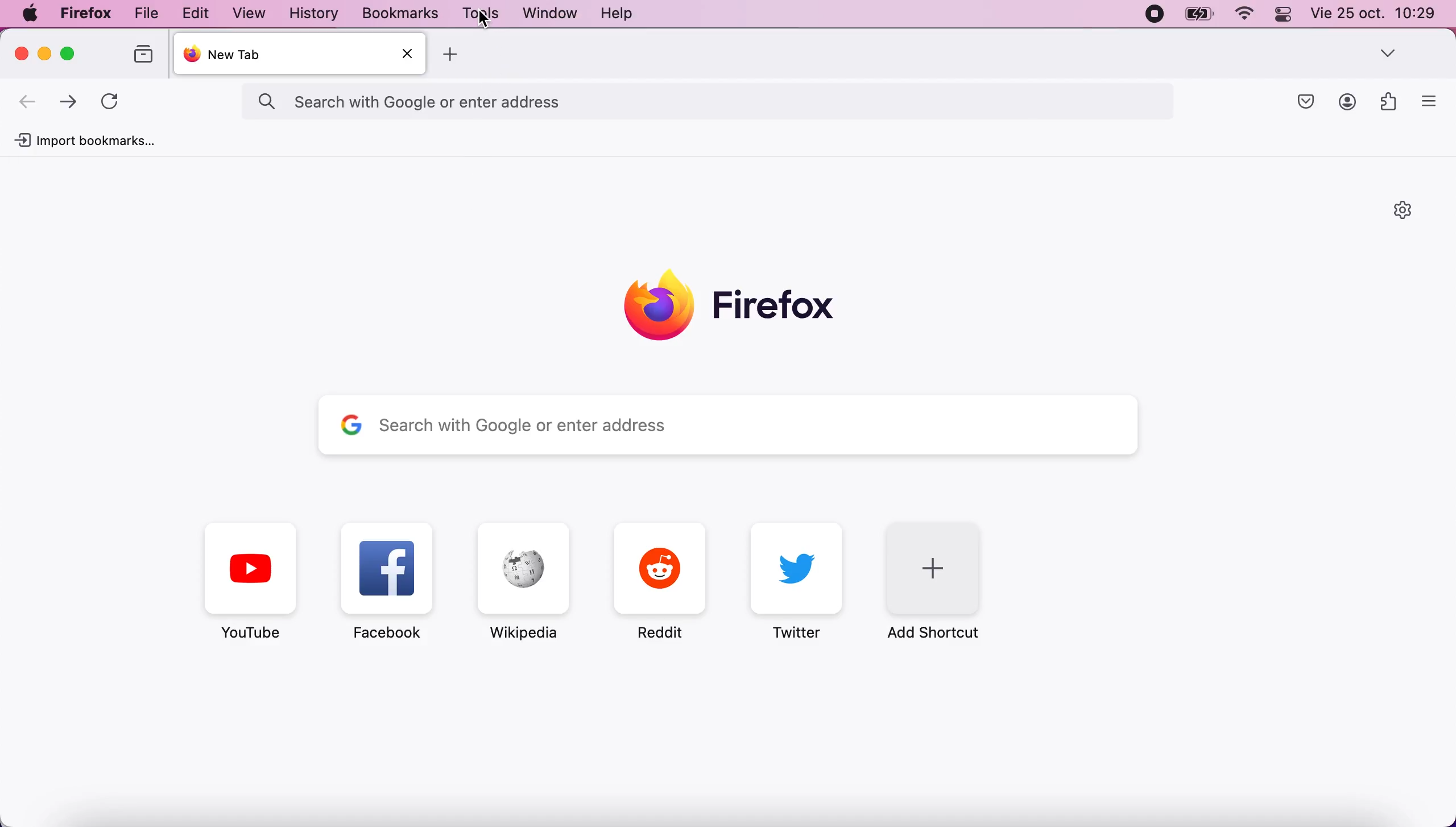 The height and width of the screenshot is (827, 1456). I want to click on Macsafe, so click(1306, 102).